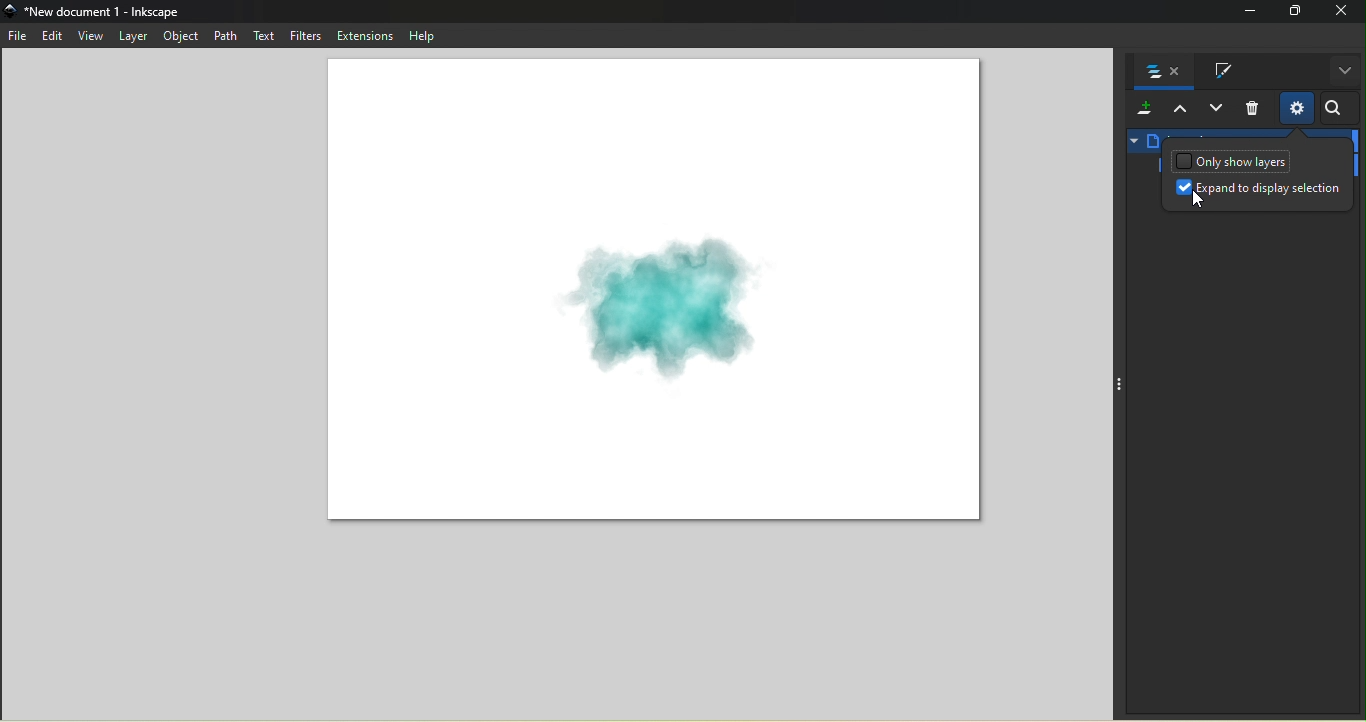 This screenshot has height=722, width=1366. Describe the element at coordinates (1296, 108) in the screenshot. I see `Layers and objects dialog settings` at that location.